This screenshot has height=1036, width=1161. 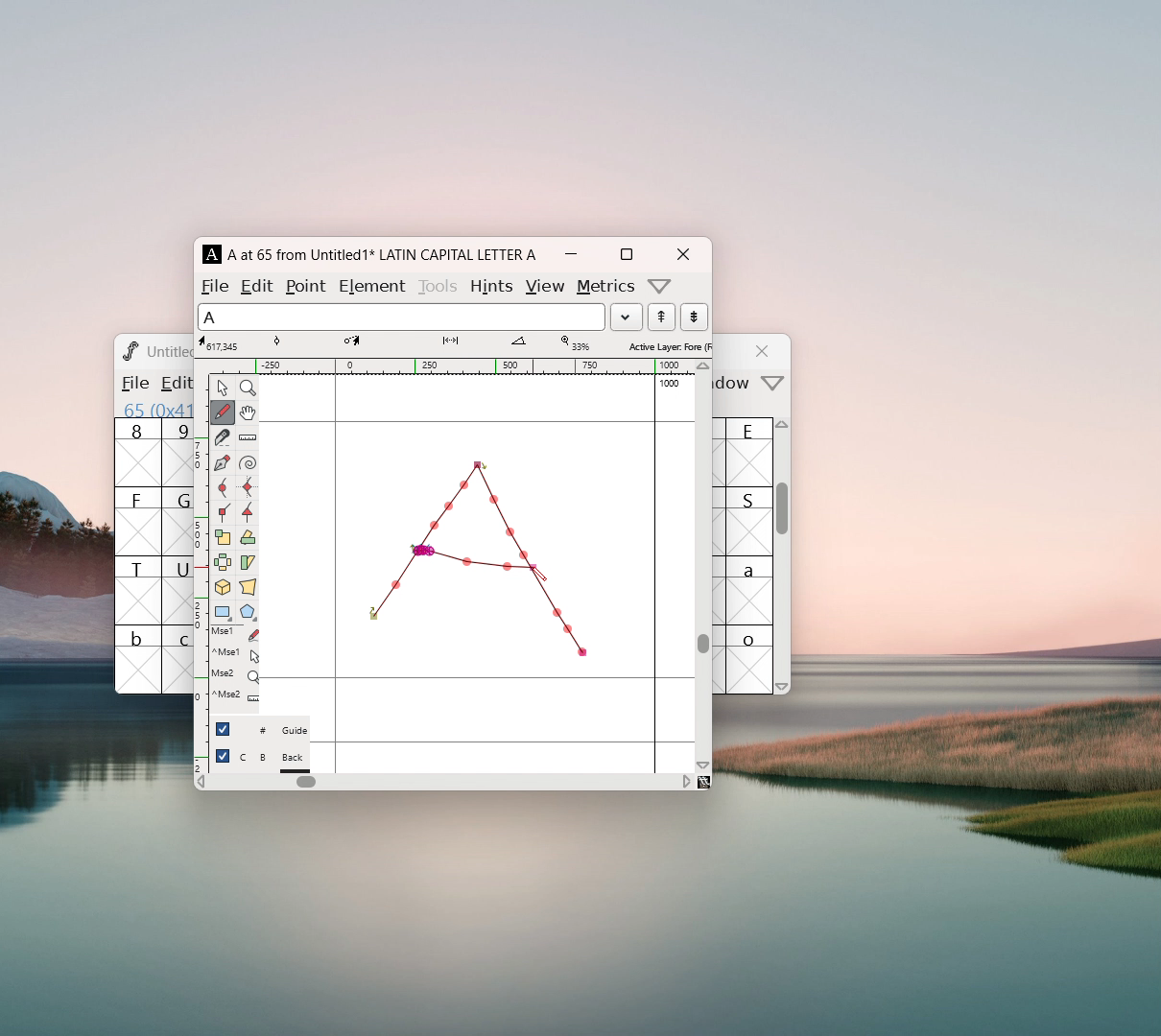 What do you see at coordinates (703, 765) in the screenshot?
I see `scroll down` at bounding box center [703, 765].